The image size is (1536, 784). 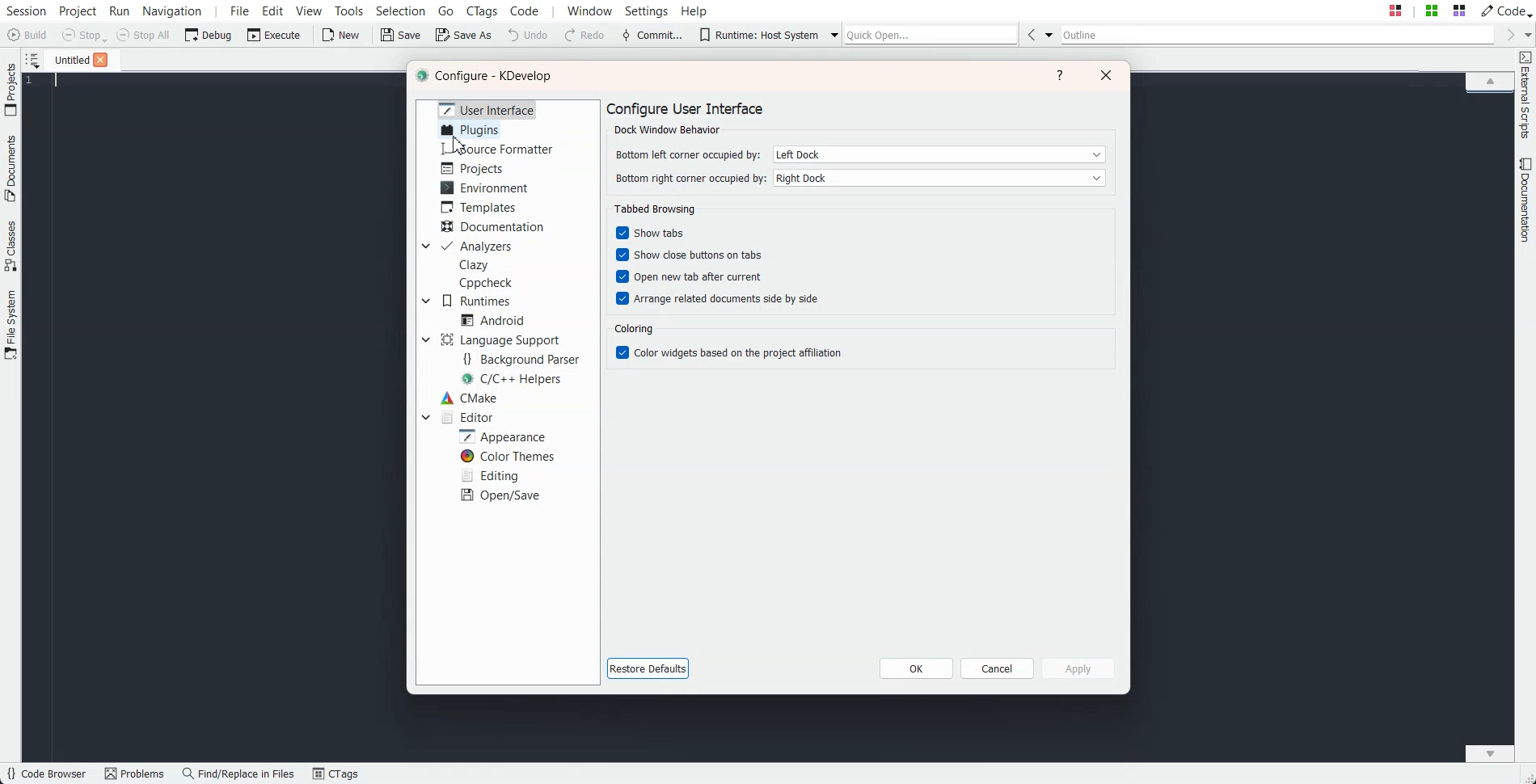 What do you see at coordinates (425, 416) in the screenshot?
I see `Drop down box` at bounding box center [425, 416].